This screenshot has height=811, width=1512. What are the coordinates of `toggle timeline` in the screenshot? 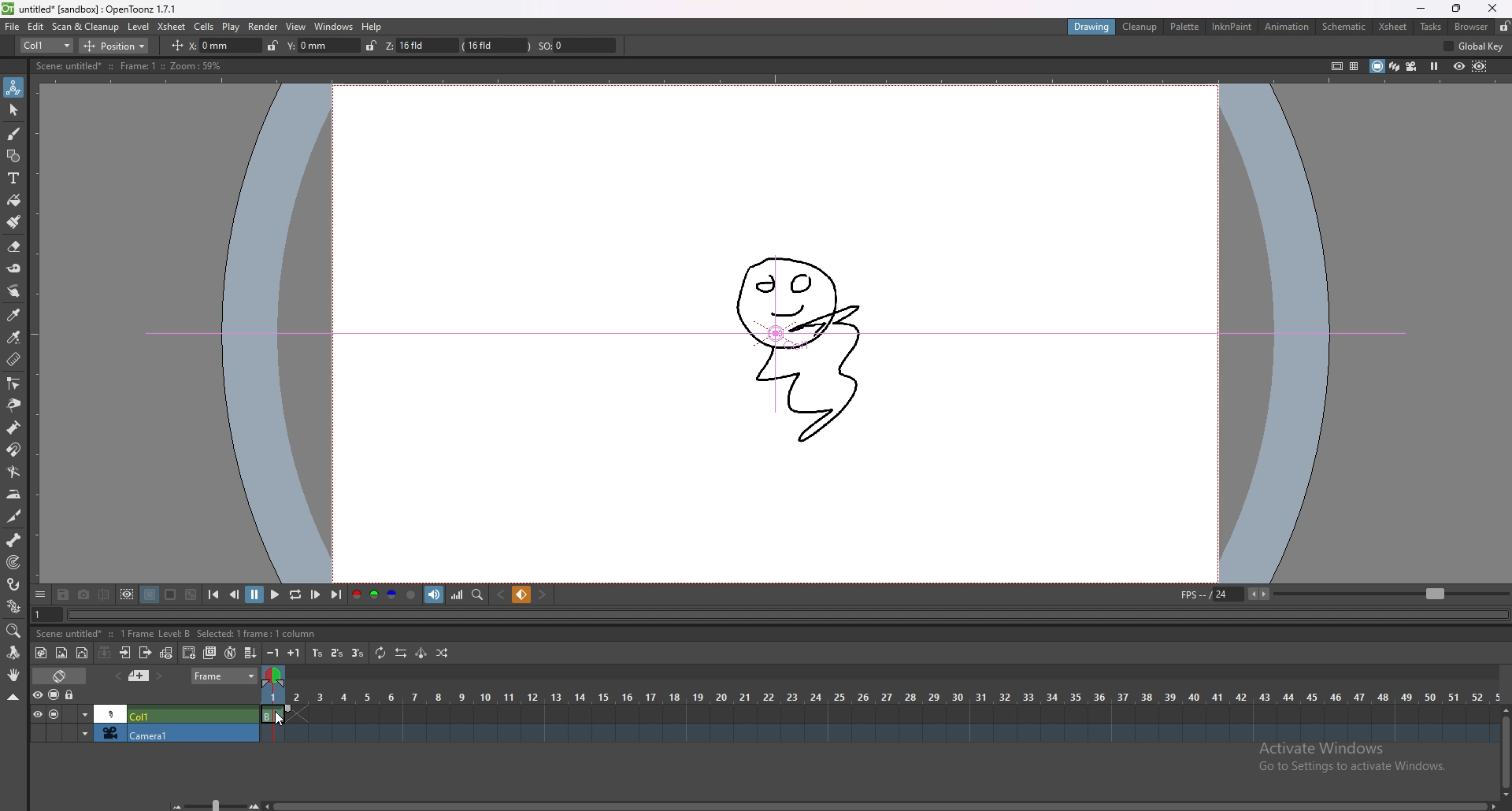 It's located at (59, 676).